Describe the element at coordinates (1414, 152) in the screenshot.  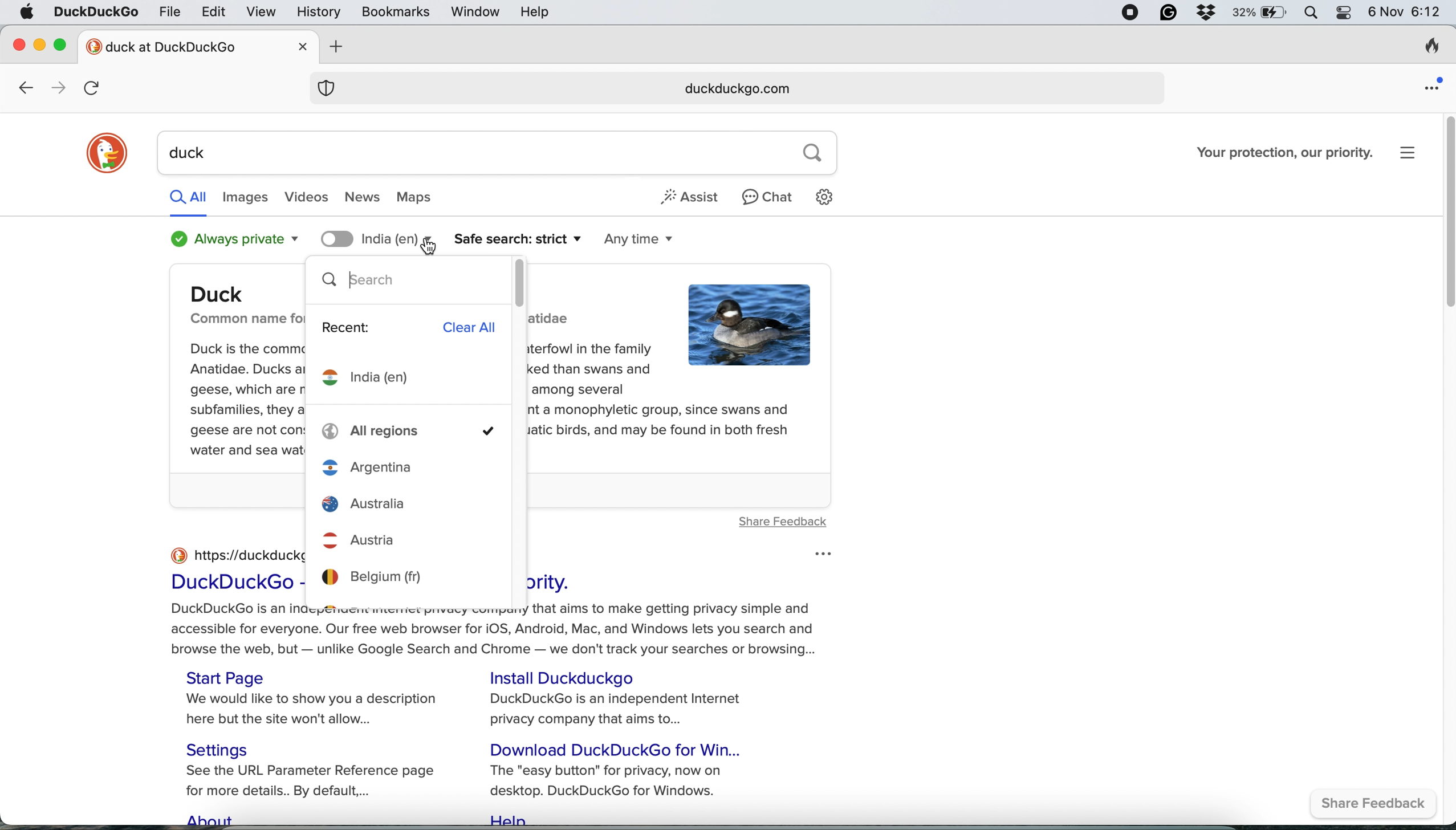
I see `settings` at that location.